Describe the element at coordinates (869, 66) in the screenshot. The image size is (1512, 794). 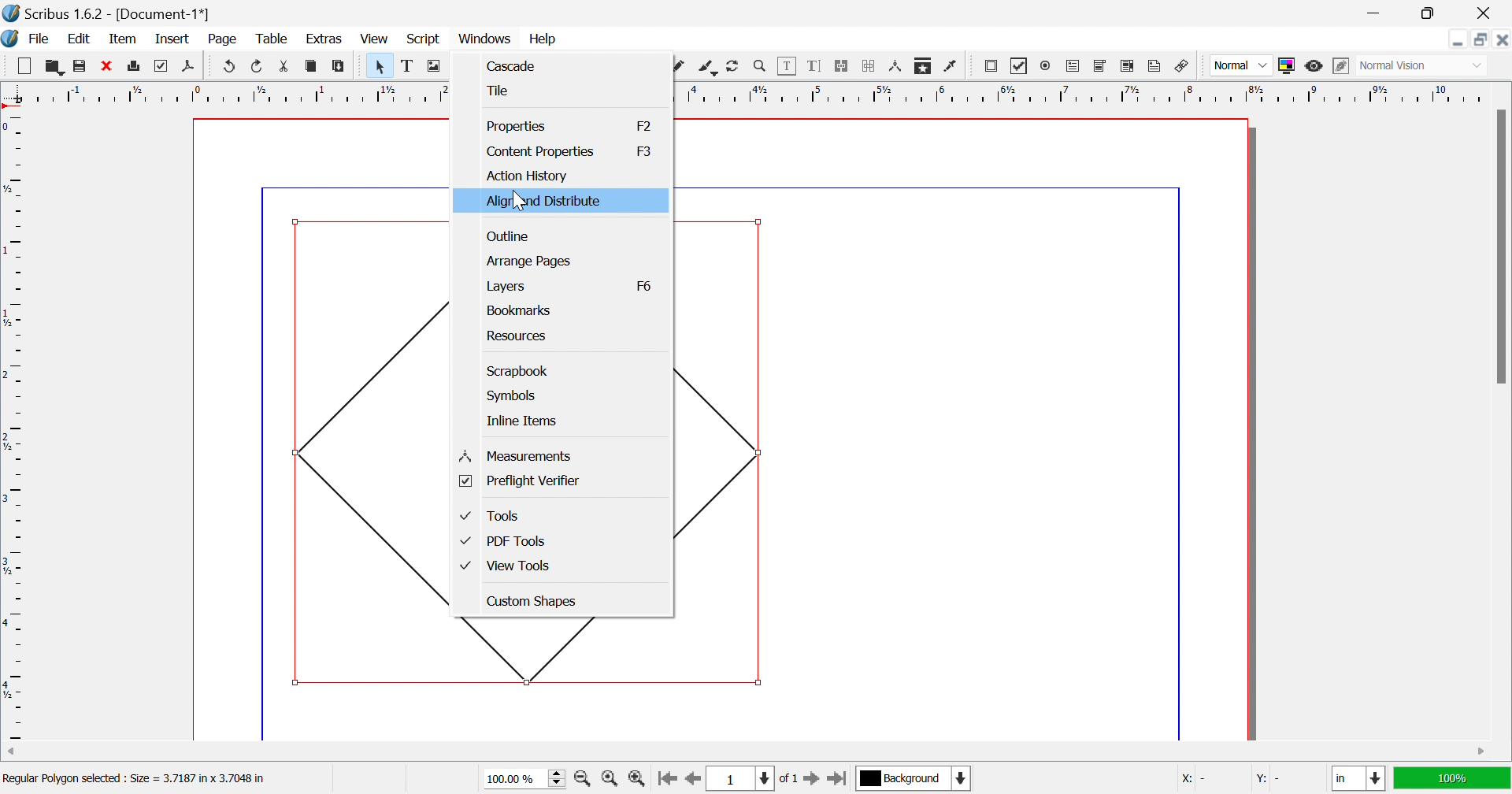
I see `Unlink text frames` at that location.